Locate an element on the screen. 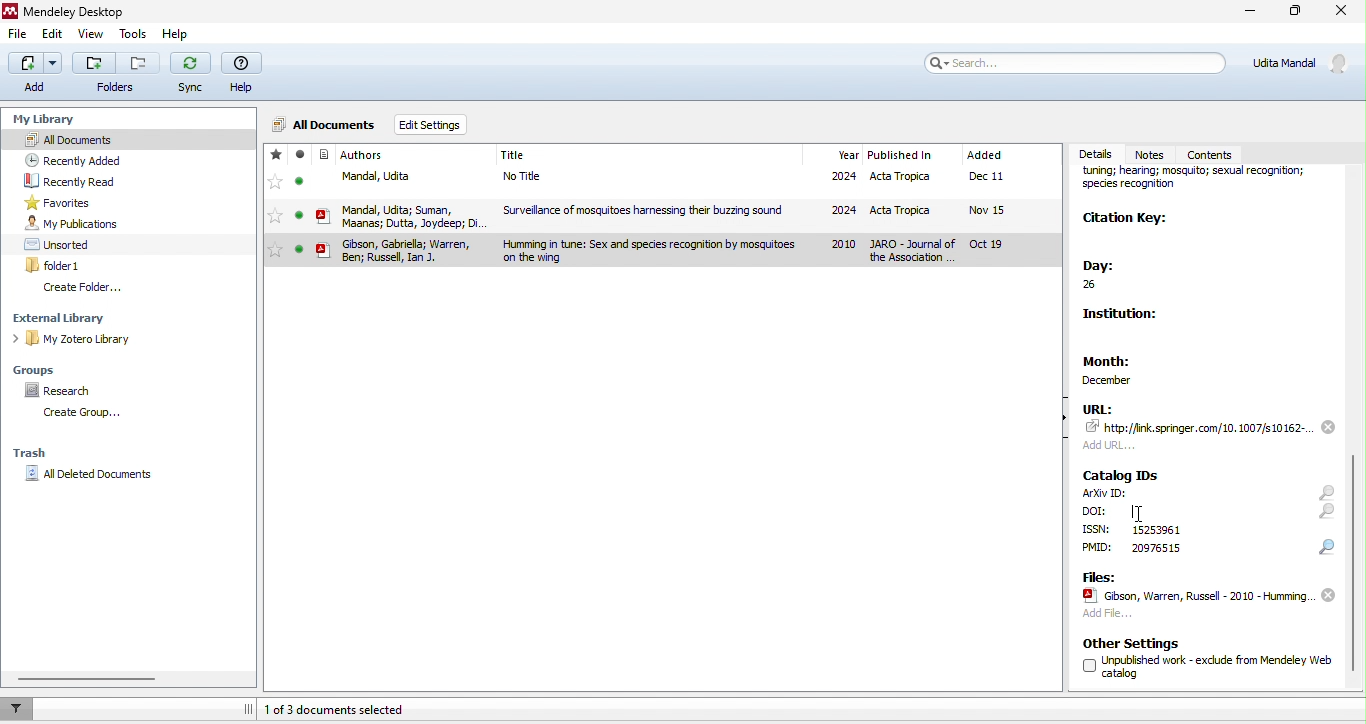  close is located at coordinates (1340, 14).